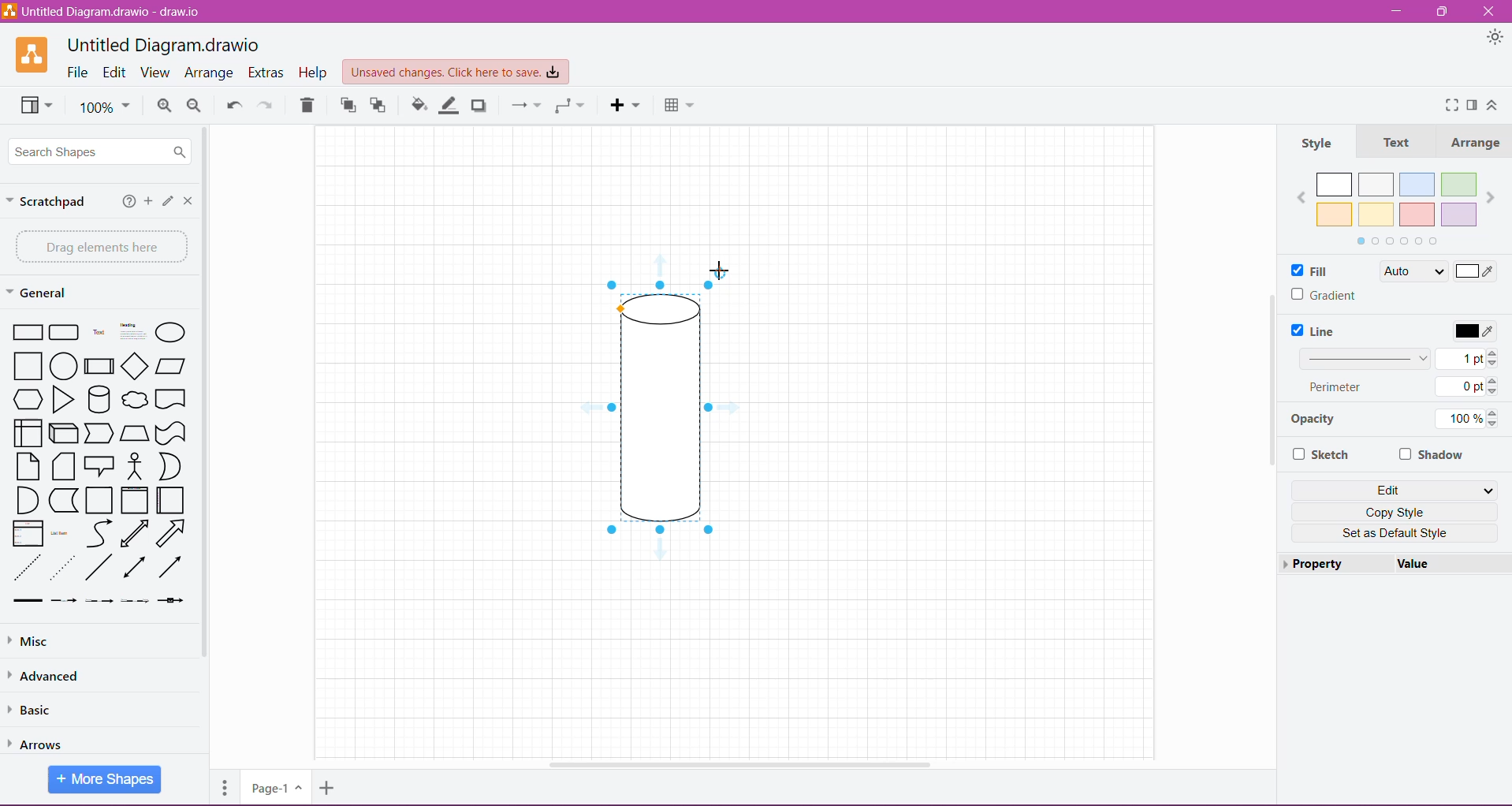 The height and width of the screenshot is (806, 1512). What do you see at coordinates (50, 675) in the screenshot?
I see `Advanced` at bounding box center [50, 675].